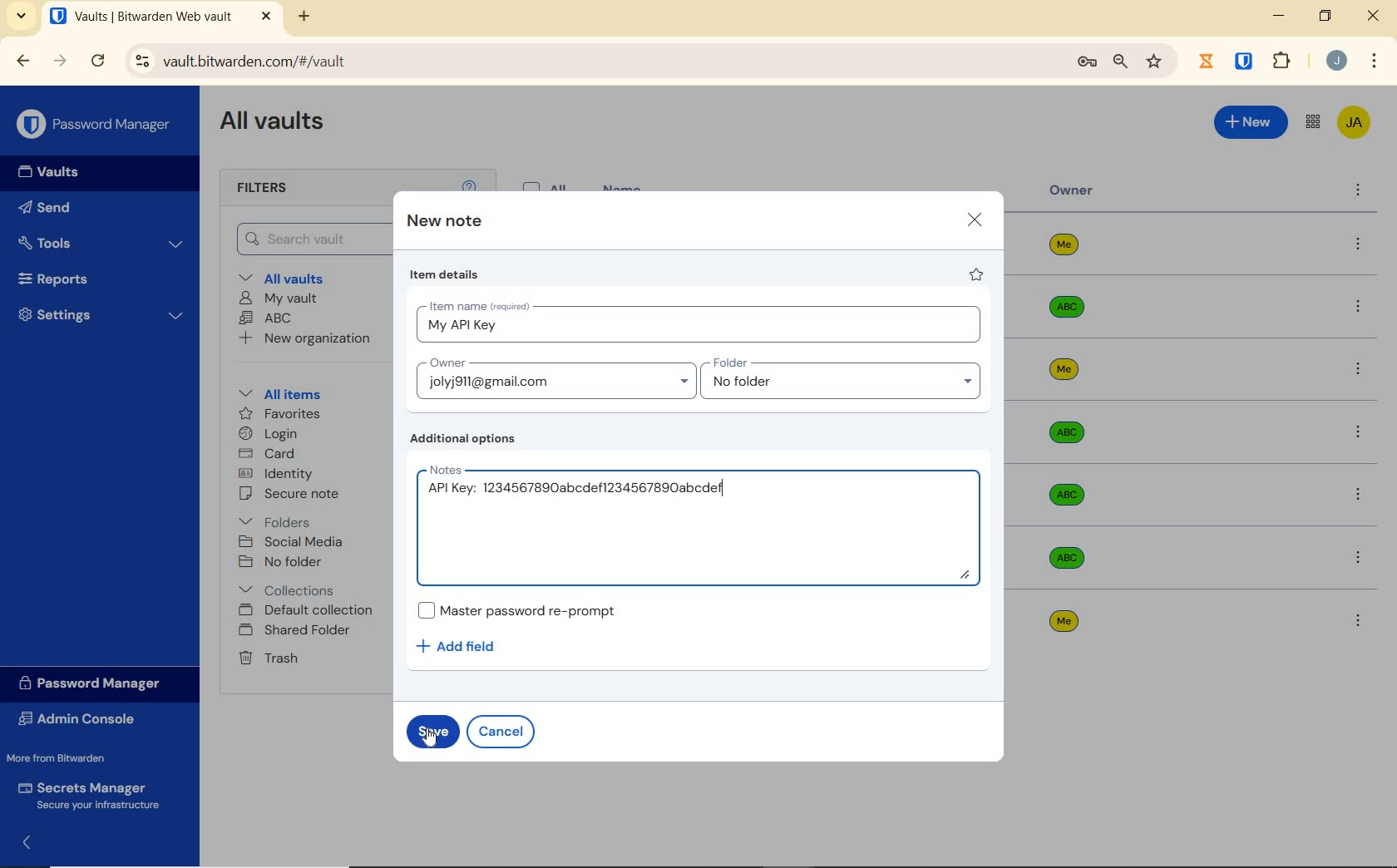 This screenshot has width=1397, height=868. Describe the element at coordinates (1118, 62) in the screenshot. I see `zoom` at that location.